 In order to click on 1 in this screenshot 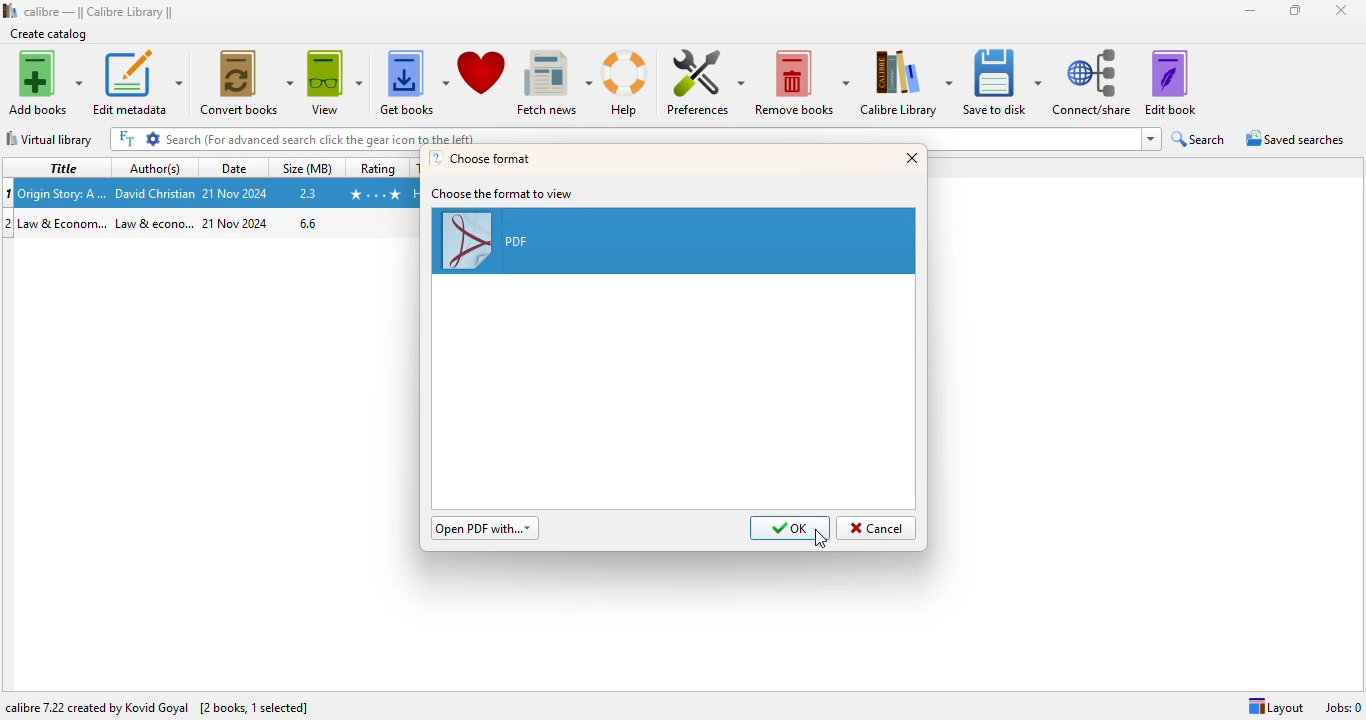, I will do `click(9, 193)`.